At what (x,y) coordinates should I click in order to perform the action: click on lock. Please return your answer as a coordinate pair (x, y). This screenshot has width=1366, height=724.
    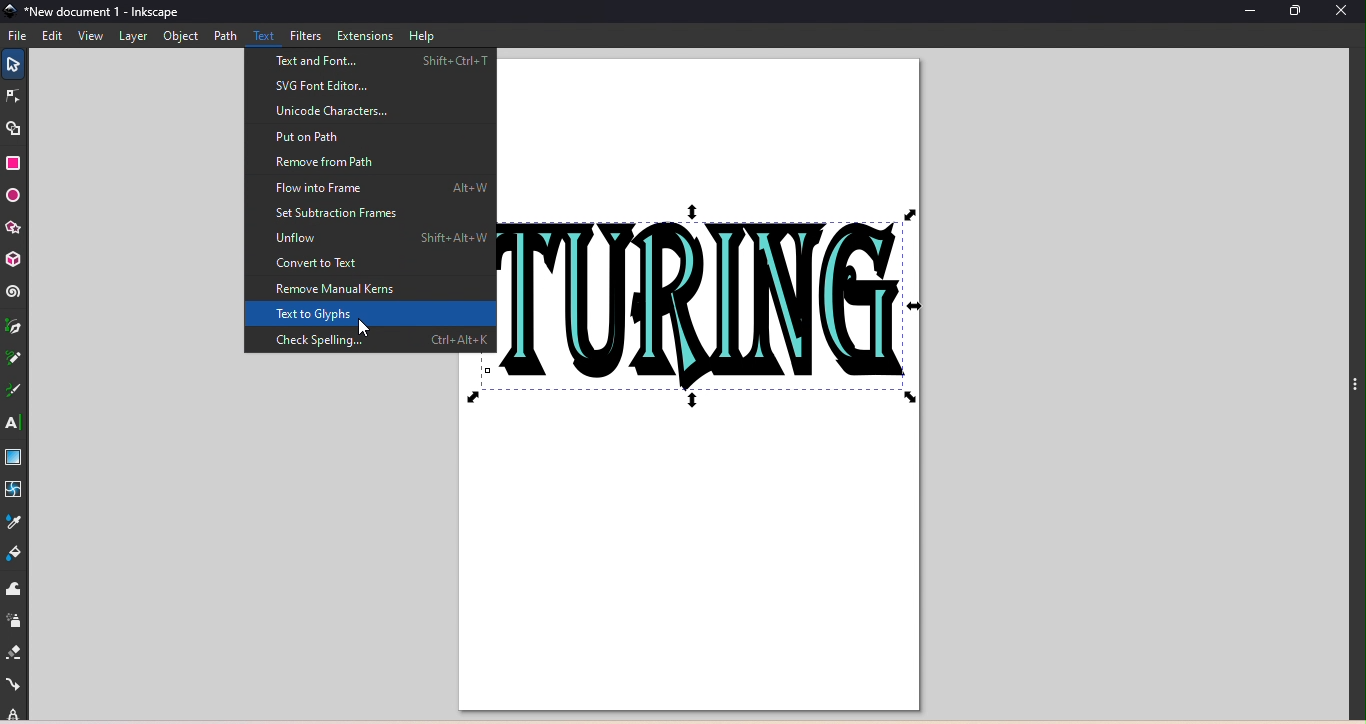
    Looking at the image, I should click on (15, 713).